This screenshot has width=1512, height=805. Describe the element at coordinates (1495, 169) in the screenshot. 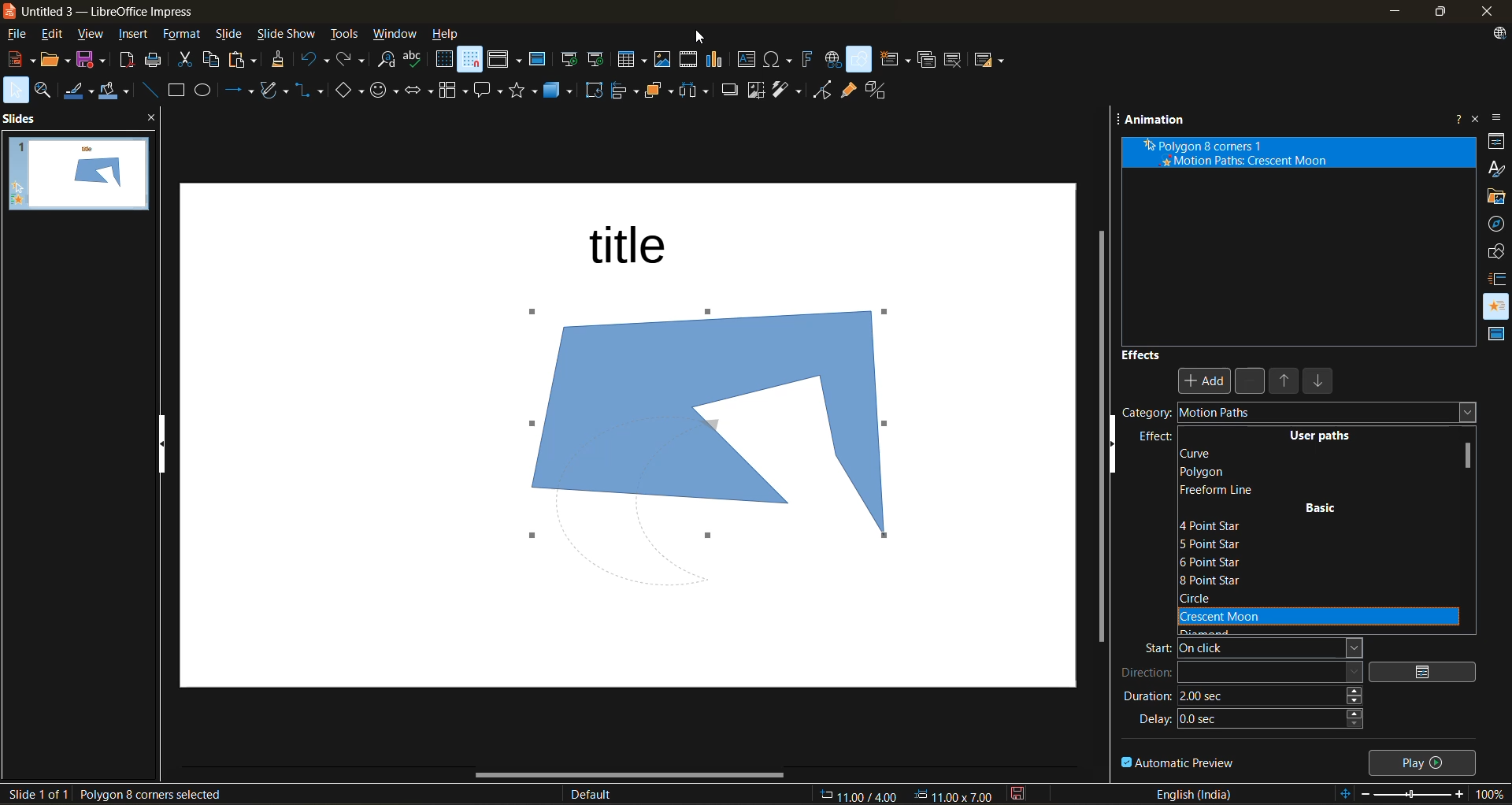

I see `styles` at that location.